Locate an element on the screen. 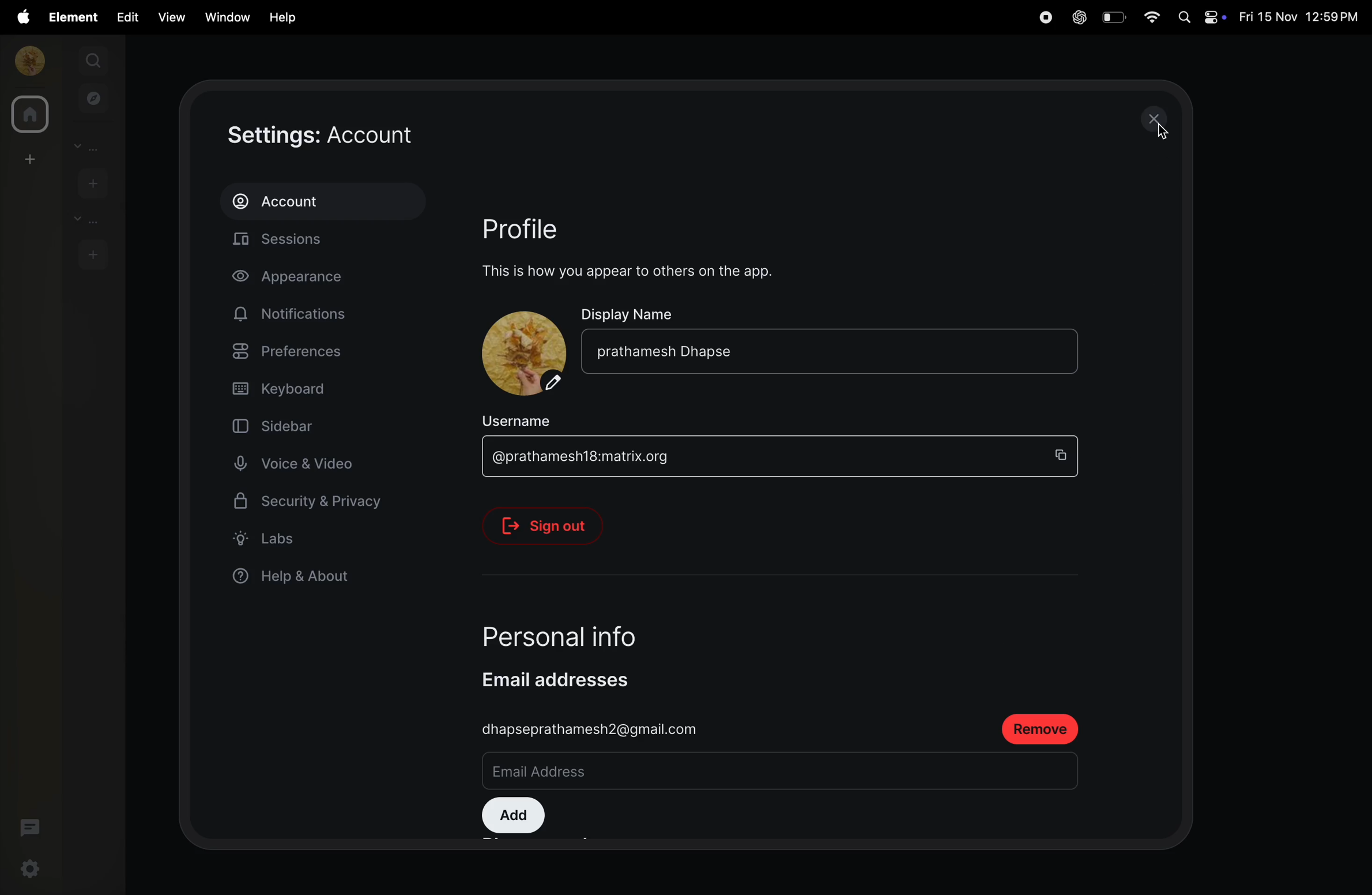 The width and height of the screenshot is (1372, 895). threads is located at coordinates (31, 826).